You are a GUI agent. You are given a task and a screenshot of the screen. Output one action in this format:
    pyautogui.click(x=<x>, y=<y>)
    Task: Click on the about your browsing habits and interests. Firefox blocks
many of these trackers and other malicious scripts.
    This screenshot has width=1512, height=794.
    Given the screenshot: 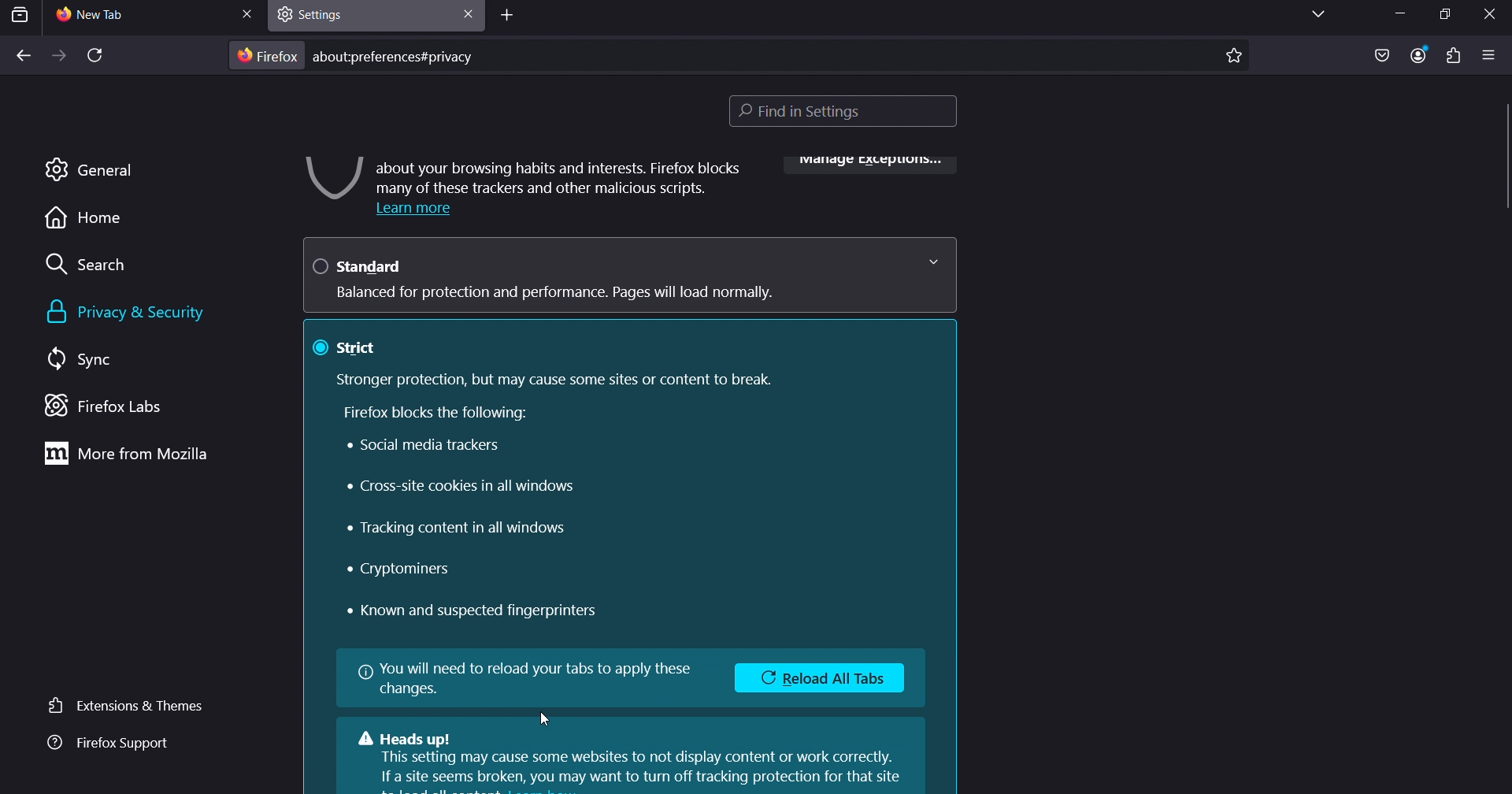 What is the action you would take?
    pyautogui.click(x=561, y=175)
    